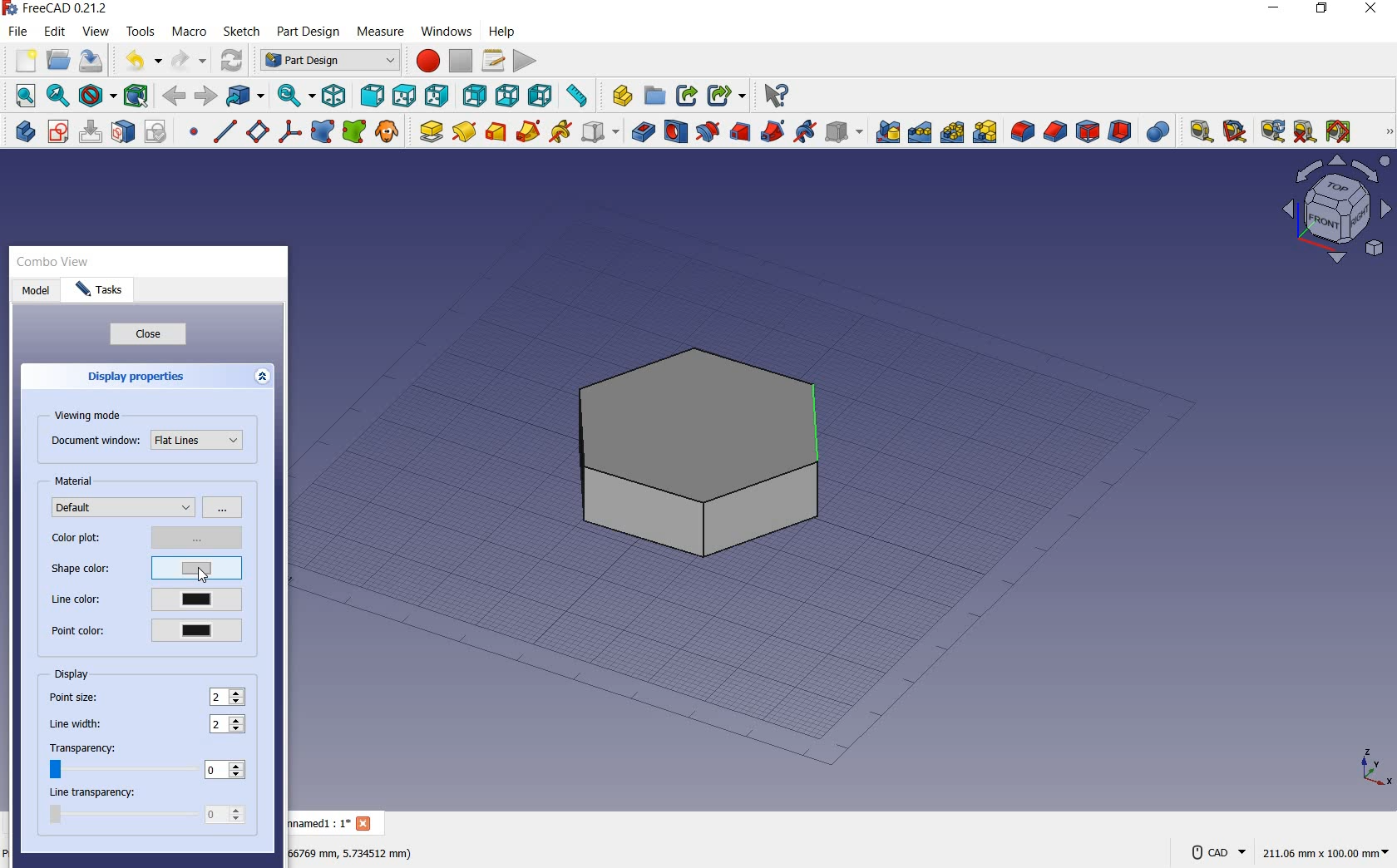 The height and width of the screenshot is (868, 1397). What do you see at coordinates (224, 506) in the screenshot?
I see `options` at bounding box center [224, 506].